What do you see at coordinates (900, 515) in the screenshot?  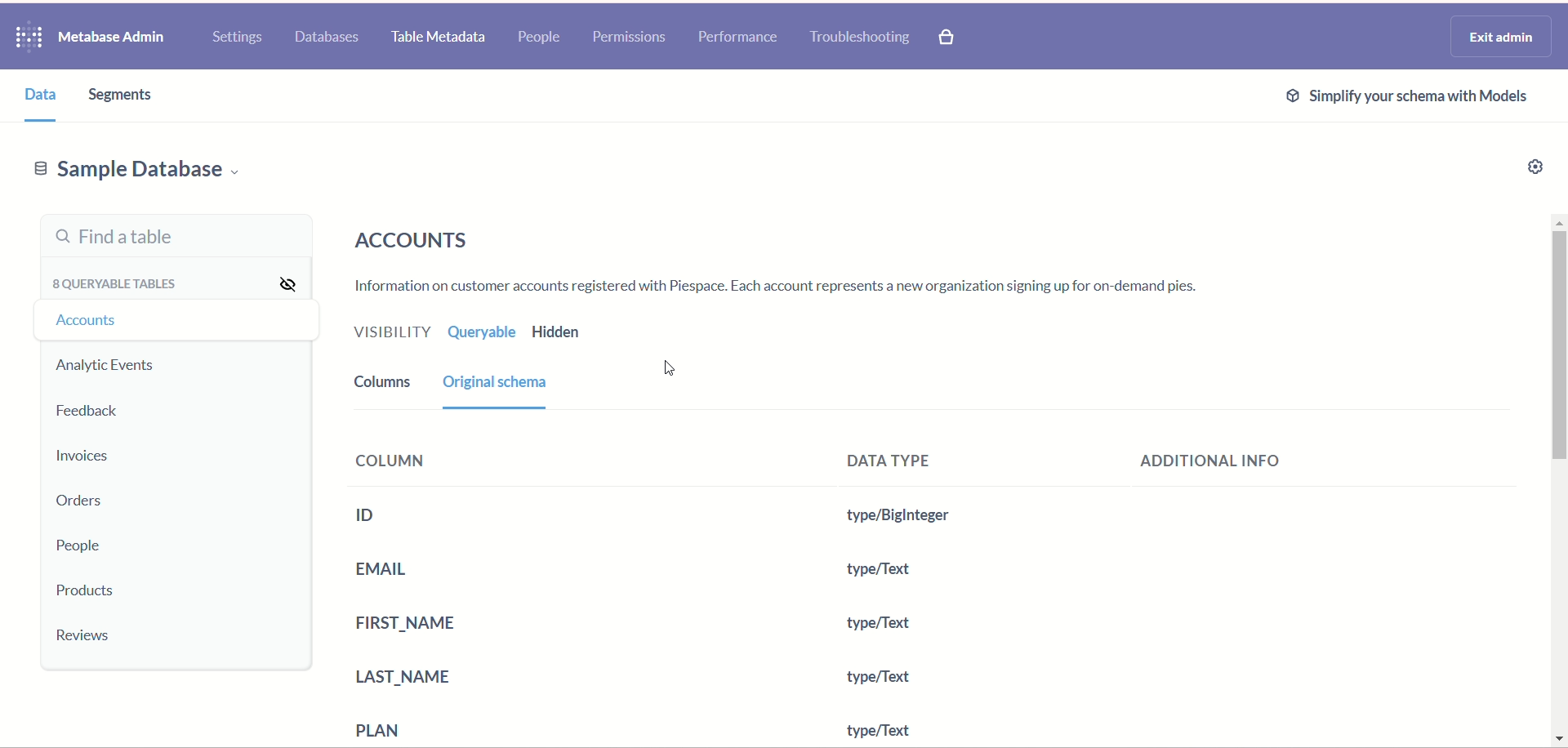 I see `type/Text` at bounding box center [900, 515].